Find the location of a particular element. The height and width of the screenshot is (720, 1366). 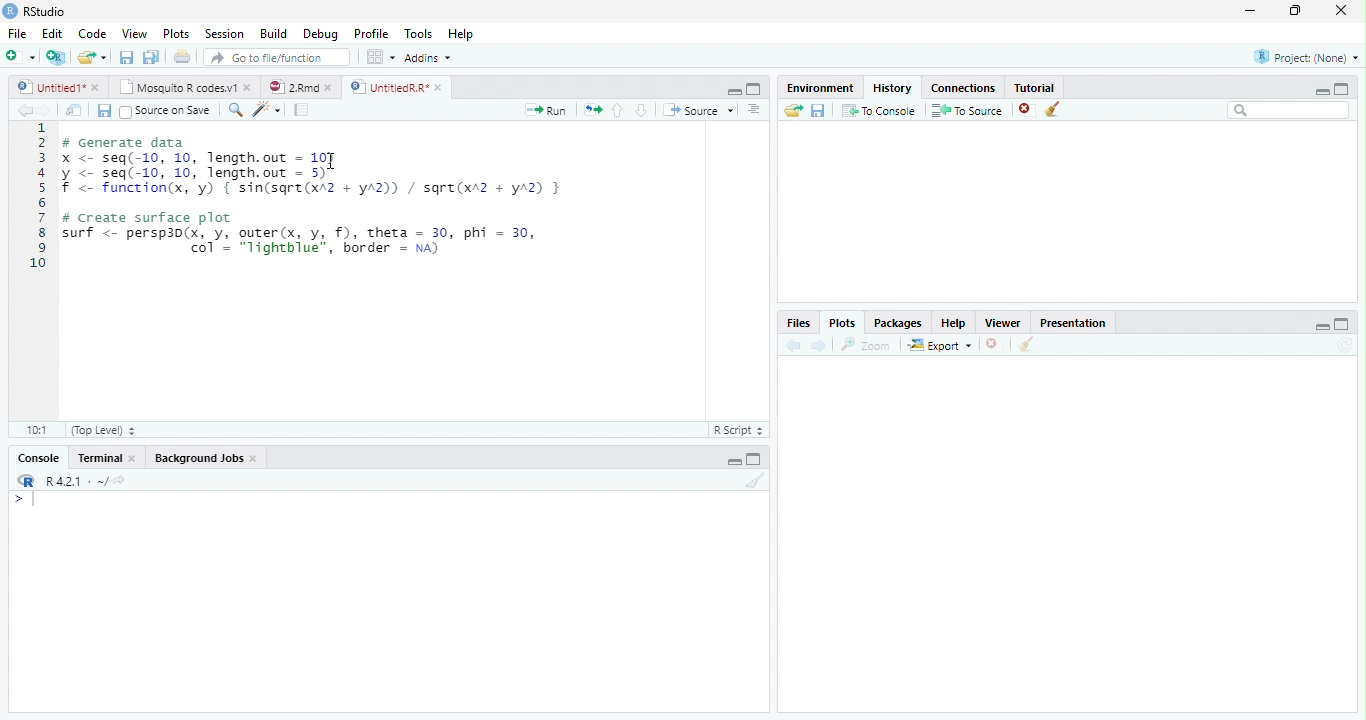

Clear all plots is located at coordinates (1026, 344).